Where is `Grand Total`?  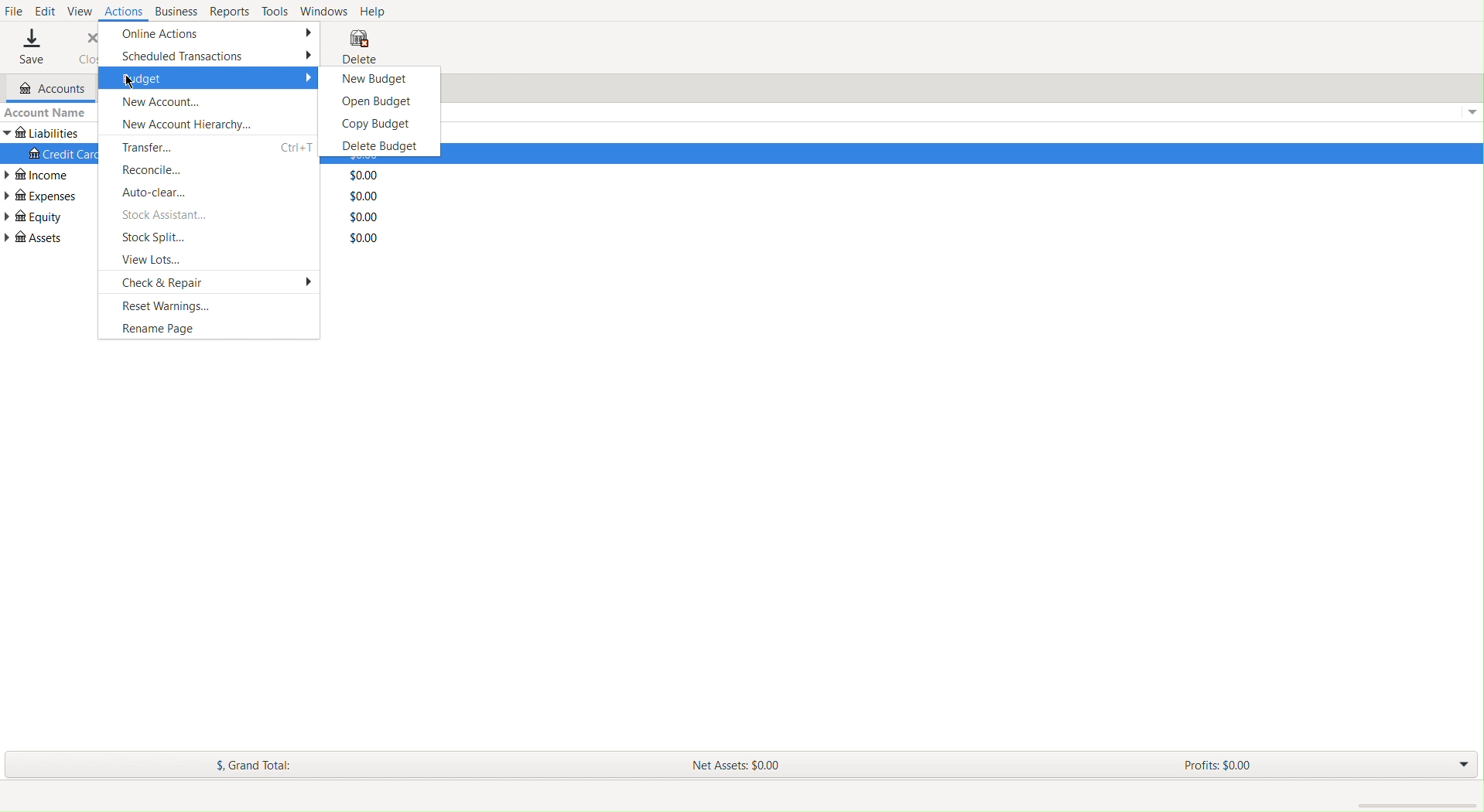
Grand Total is located at coordinates (260, 763).